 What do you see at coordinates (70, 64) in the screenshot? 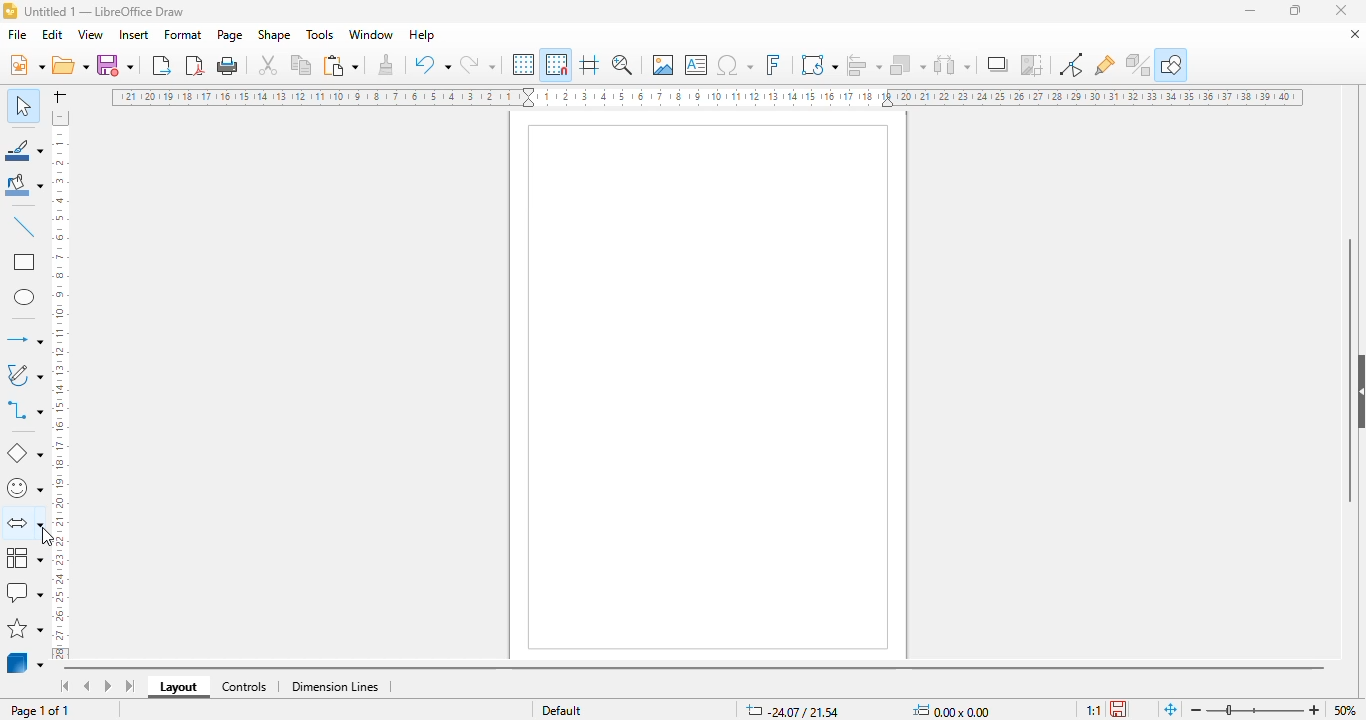
I see `open` at bounding box center [70, 64].